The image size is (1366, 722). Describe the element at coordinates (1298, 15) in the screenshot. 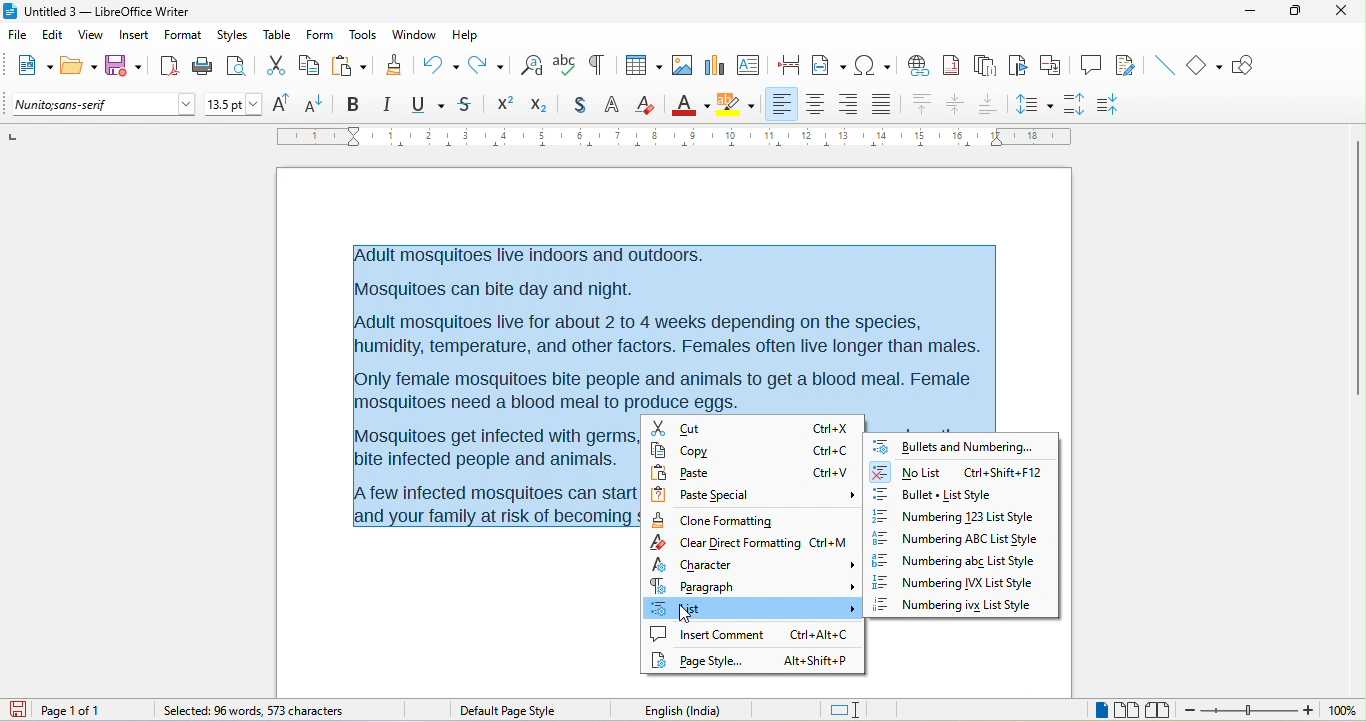

I see `maximize` at that location.